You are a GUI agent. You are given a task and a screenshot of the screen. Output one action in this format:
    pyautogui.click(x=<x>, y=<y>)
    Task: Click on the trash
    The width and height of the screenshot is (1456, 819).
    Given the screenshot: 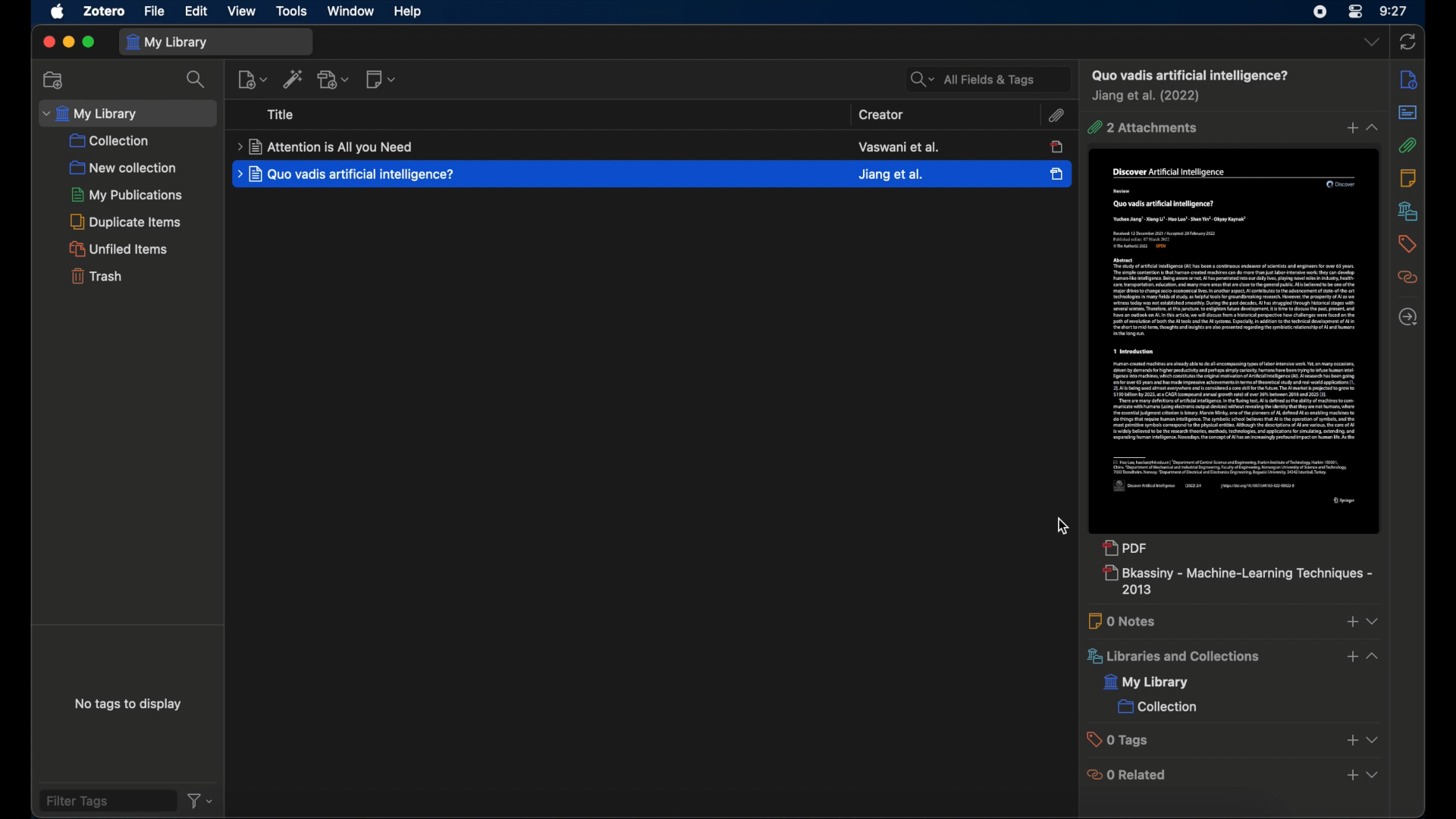 What is the action you would take?
    pyautogui.click(x=96, y=278)
    